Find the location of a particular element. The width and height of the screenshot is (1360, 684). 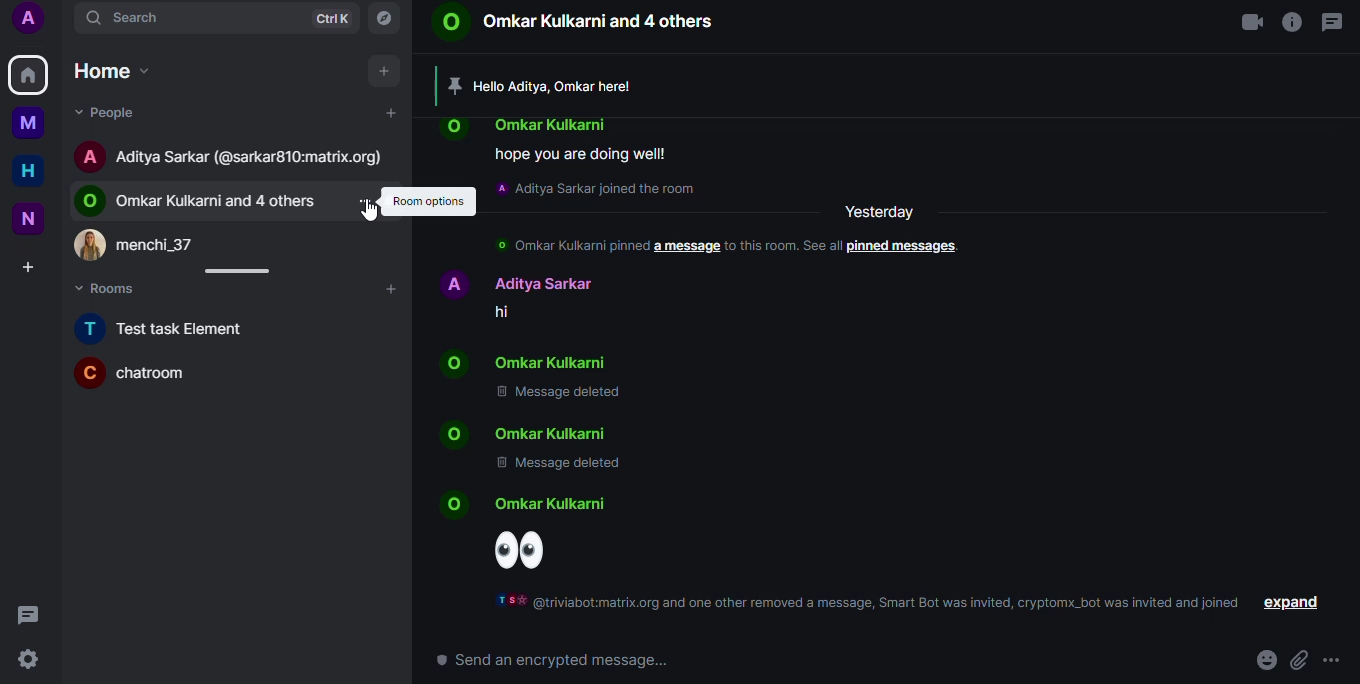

room is located at coordinates (139, 371).